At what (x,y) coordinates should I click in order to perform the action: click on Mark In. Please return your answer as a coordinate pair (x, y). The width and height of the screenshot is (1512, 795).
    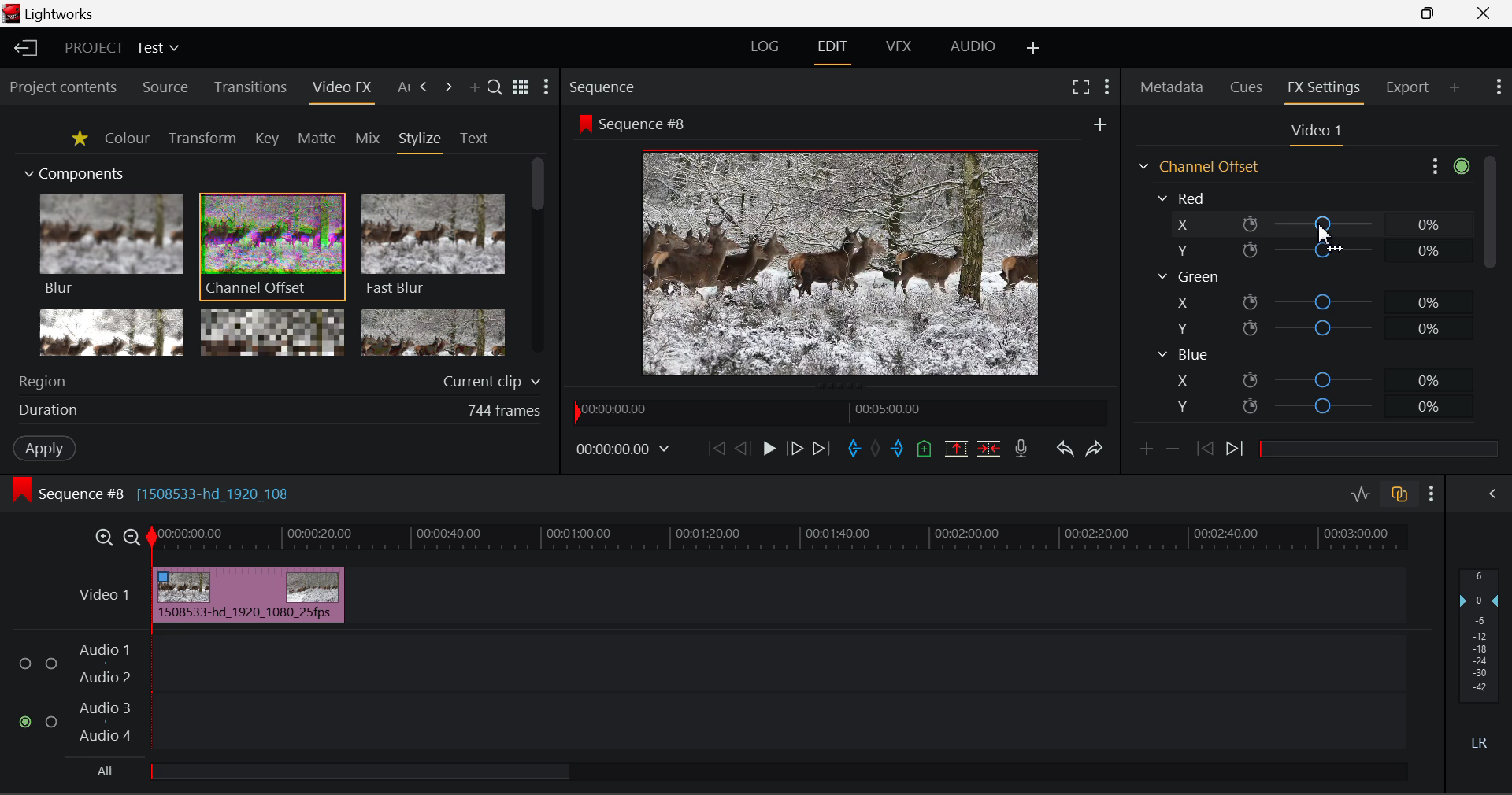
    Looking at the image, I should click on (854, 449).